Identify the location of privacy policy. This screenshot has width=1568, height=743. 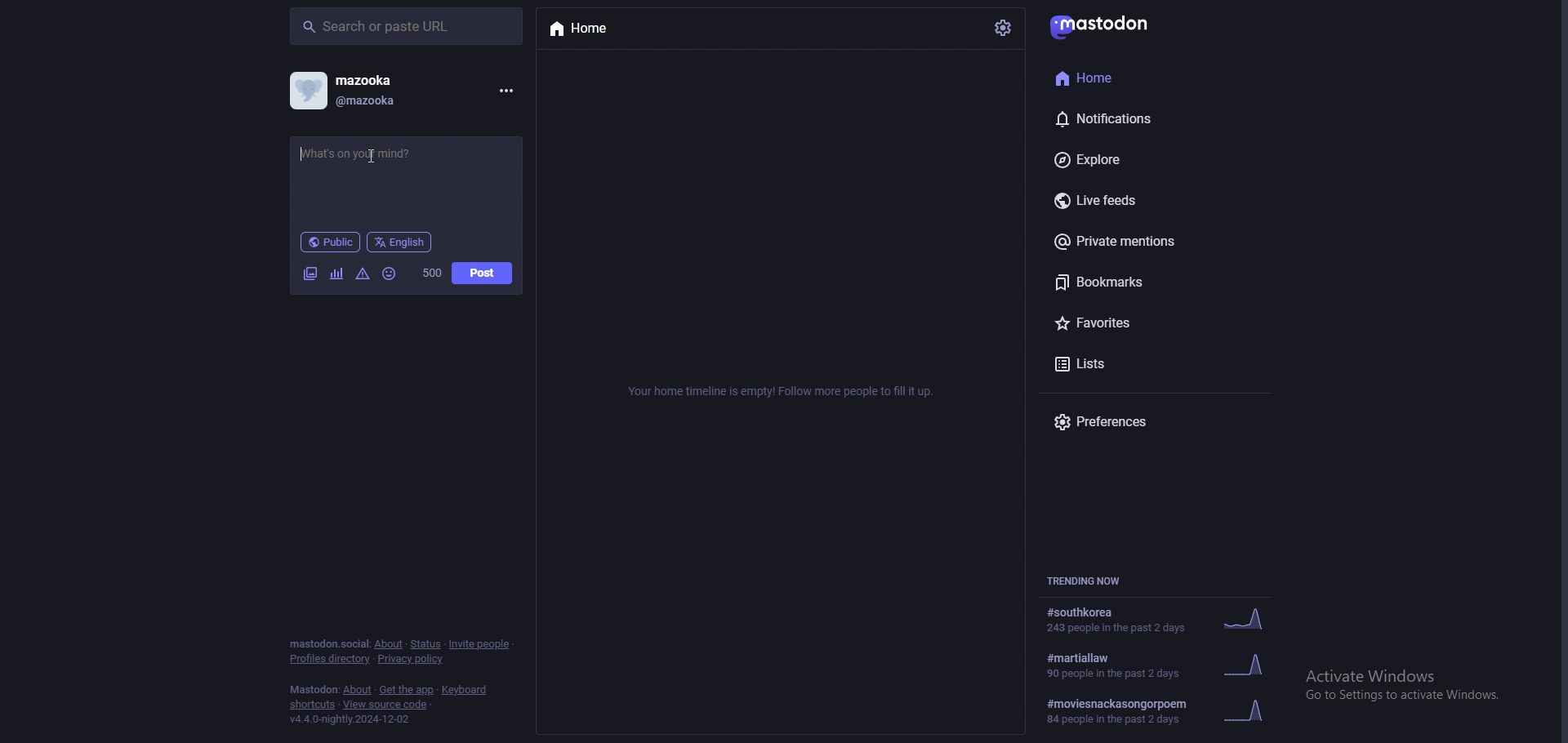
(412, 659).